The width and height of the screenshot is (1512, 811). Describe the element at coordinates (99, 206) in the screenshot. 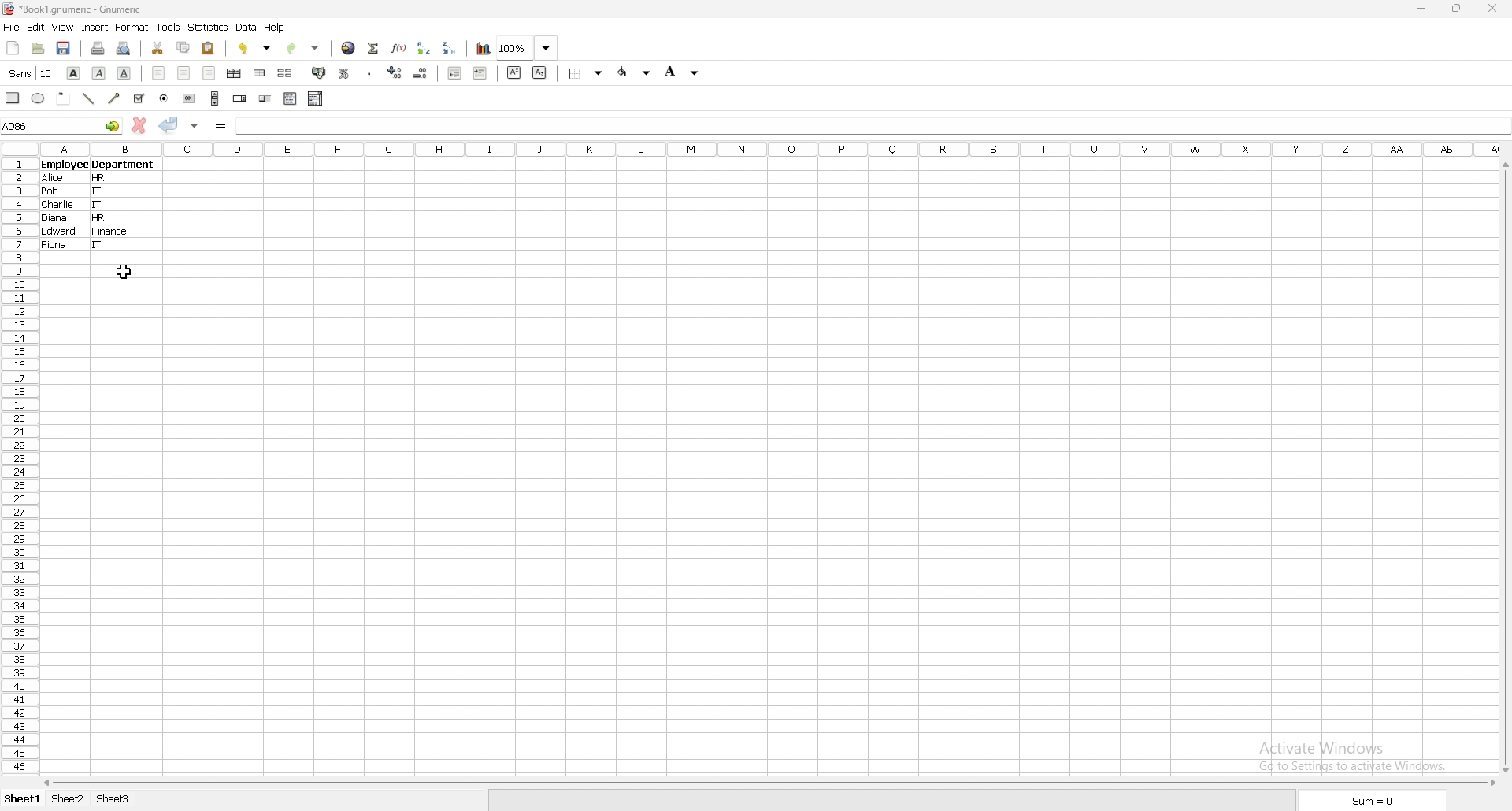

I see `it` at that location.